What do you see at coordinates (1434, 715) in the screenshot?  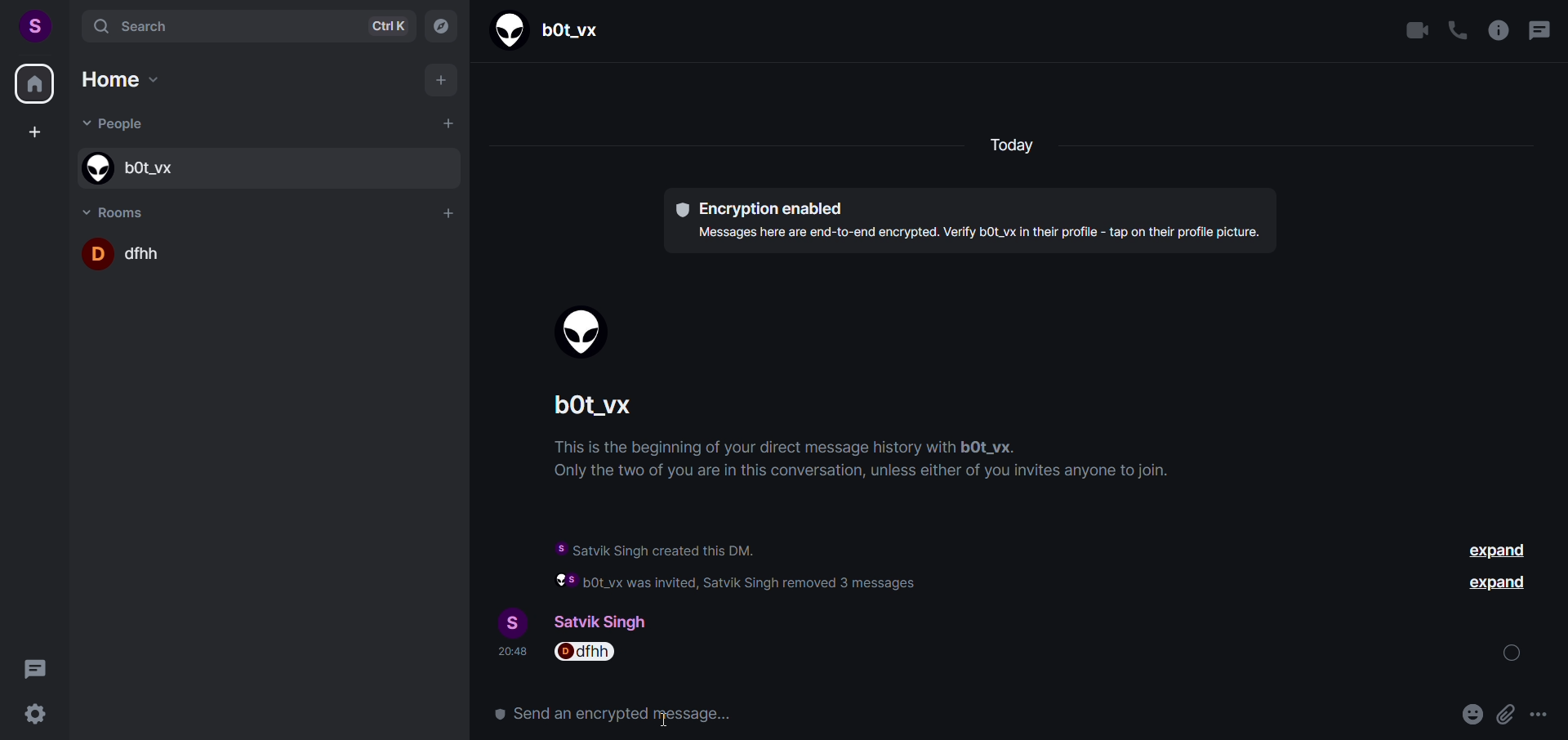 I see `emoji` at bounding box center [1434, 715].